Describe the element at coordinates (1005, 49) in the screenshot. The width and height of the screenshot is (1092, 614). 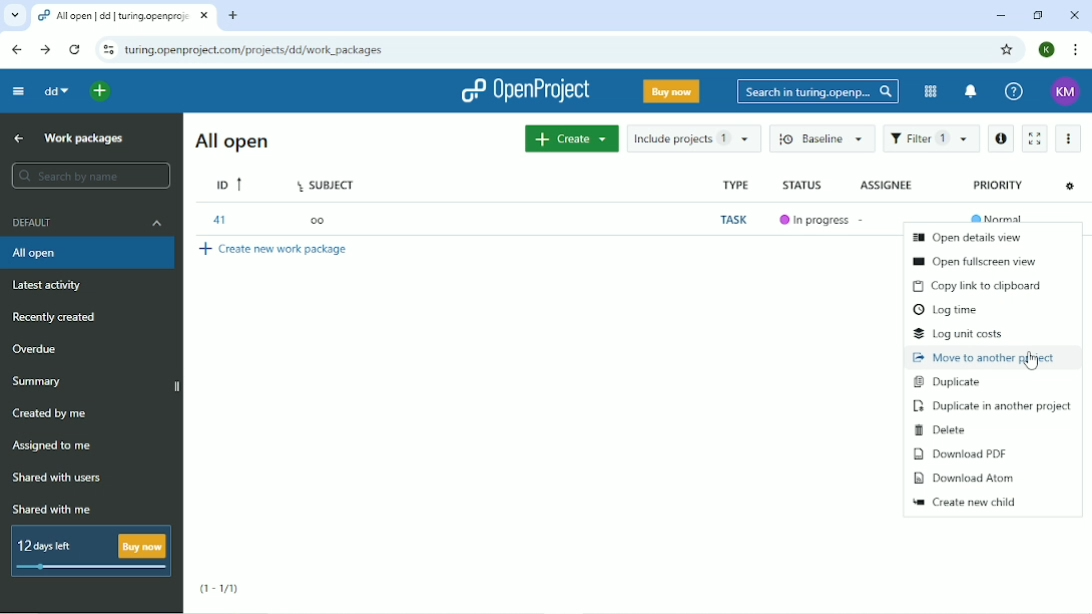
I see `Bookmark this tab` at that location.